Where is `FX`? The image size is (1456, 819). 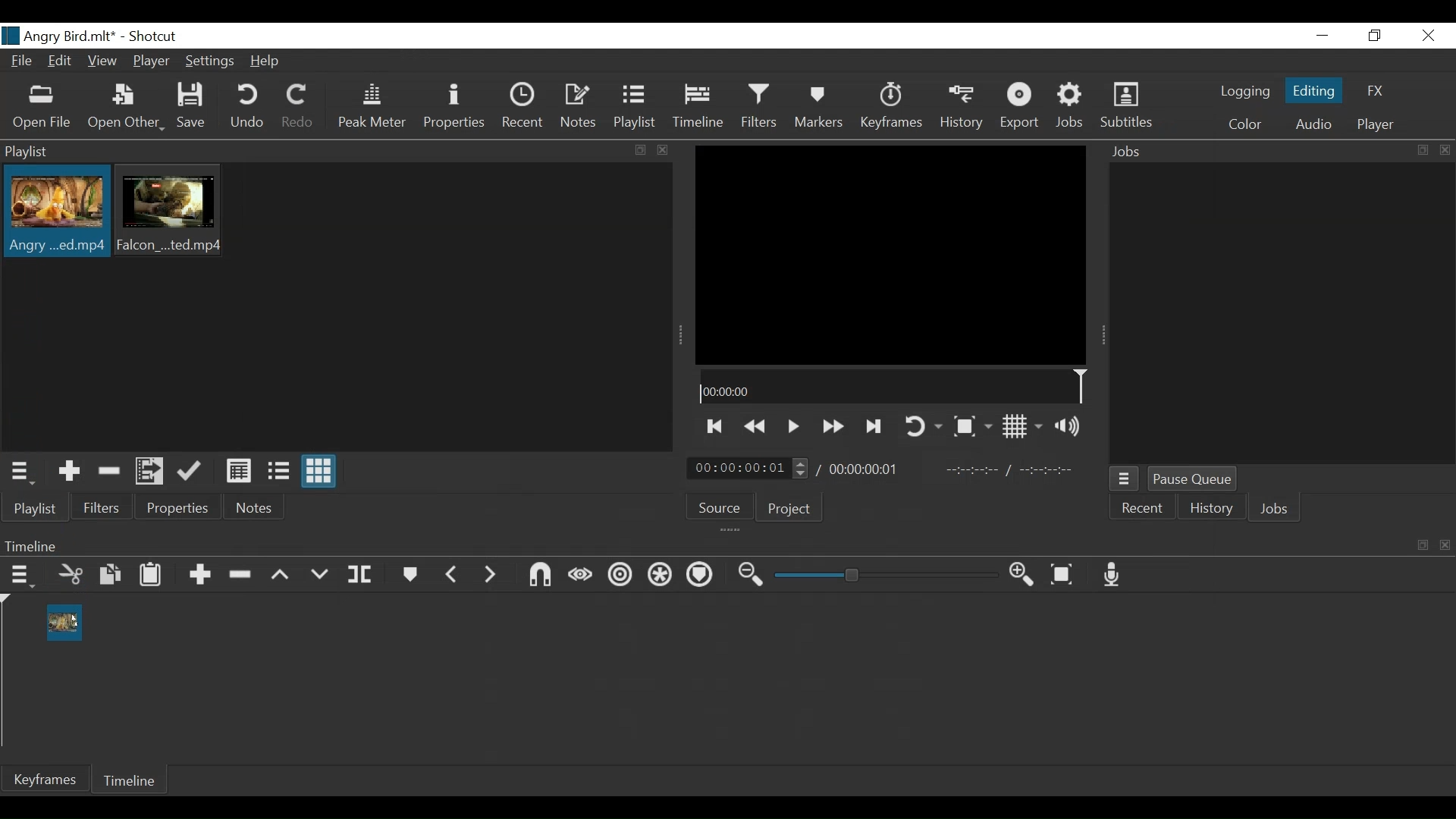
FX is located at coordinates (1373, 91).